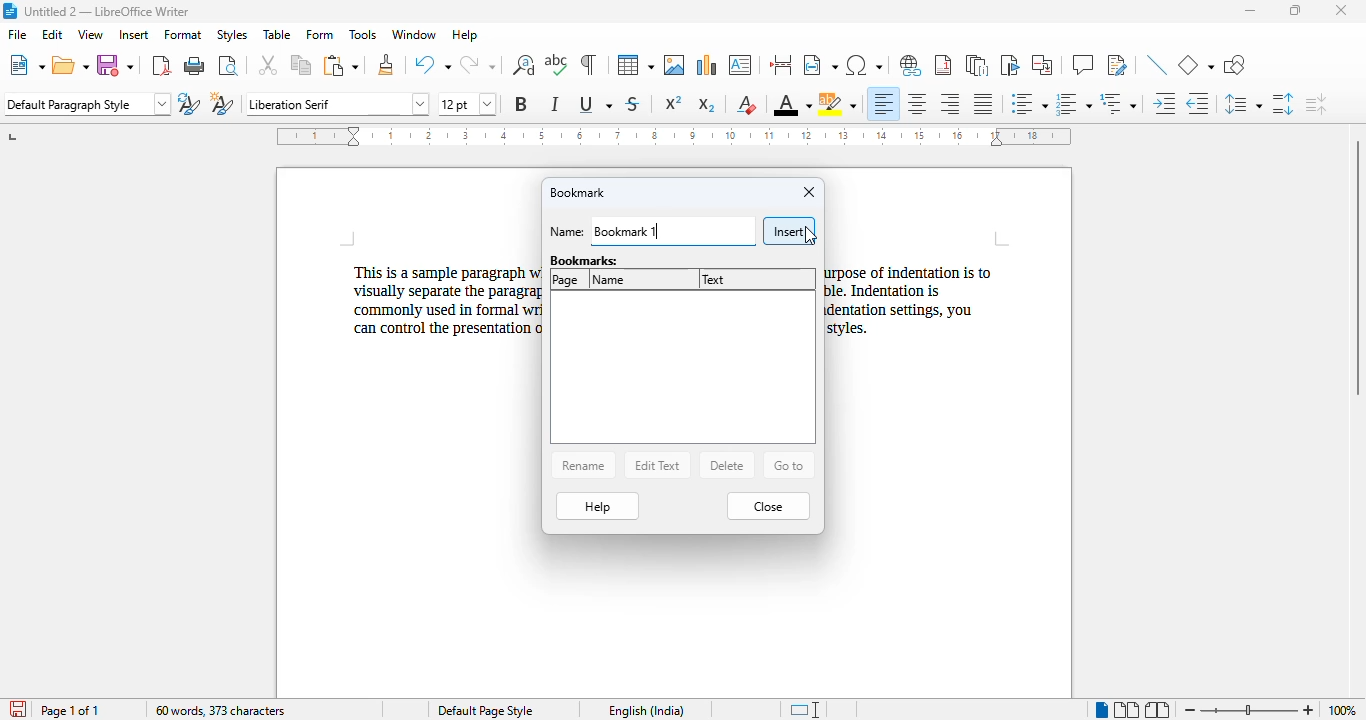  I want to click on edit, so click(53, 34).